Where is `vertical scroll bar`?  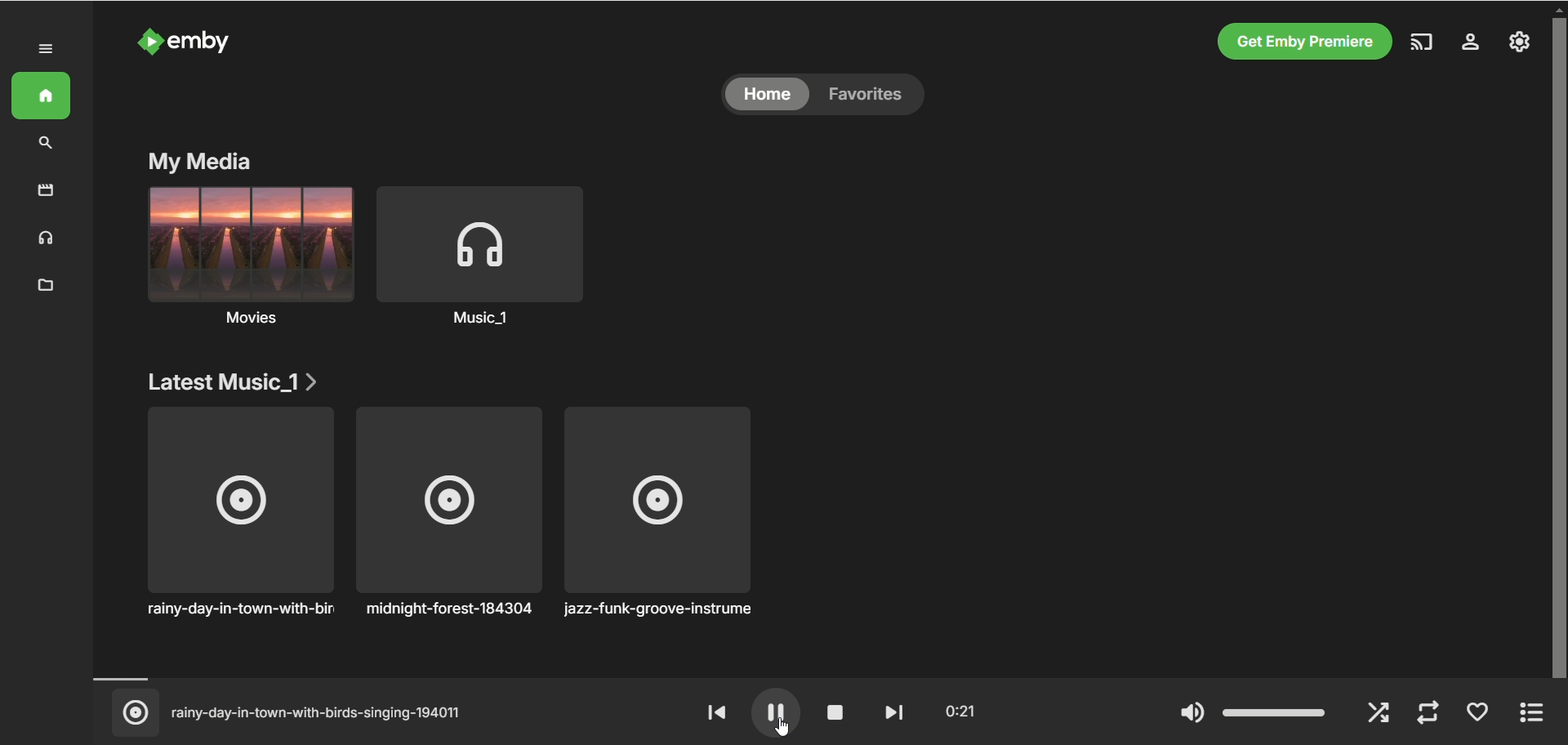 vertical scroll bar is located at coordinates (1558, 343).